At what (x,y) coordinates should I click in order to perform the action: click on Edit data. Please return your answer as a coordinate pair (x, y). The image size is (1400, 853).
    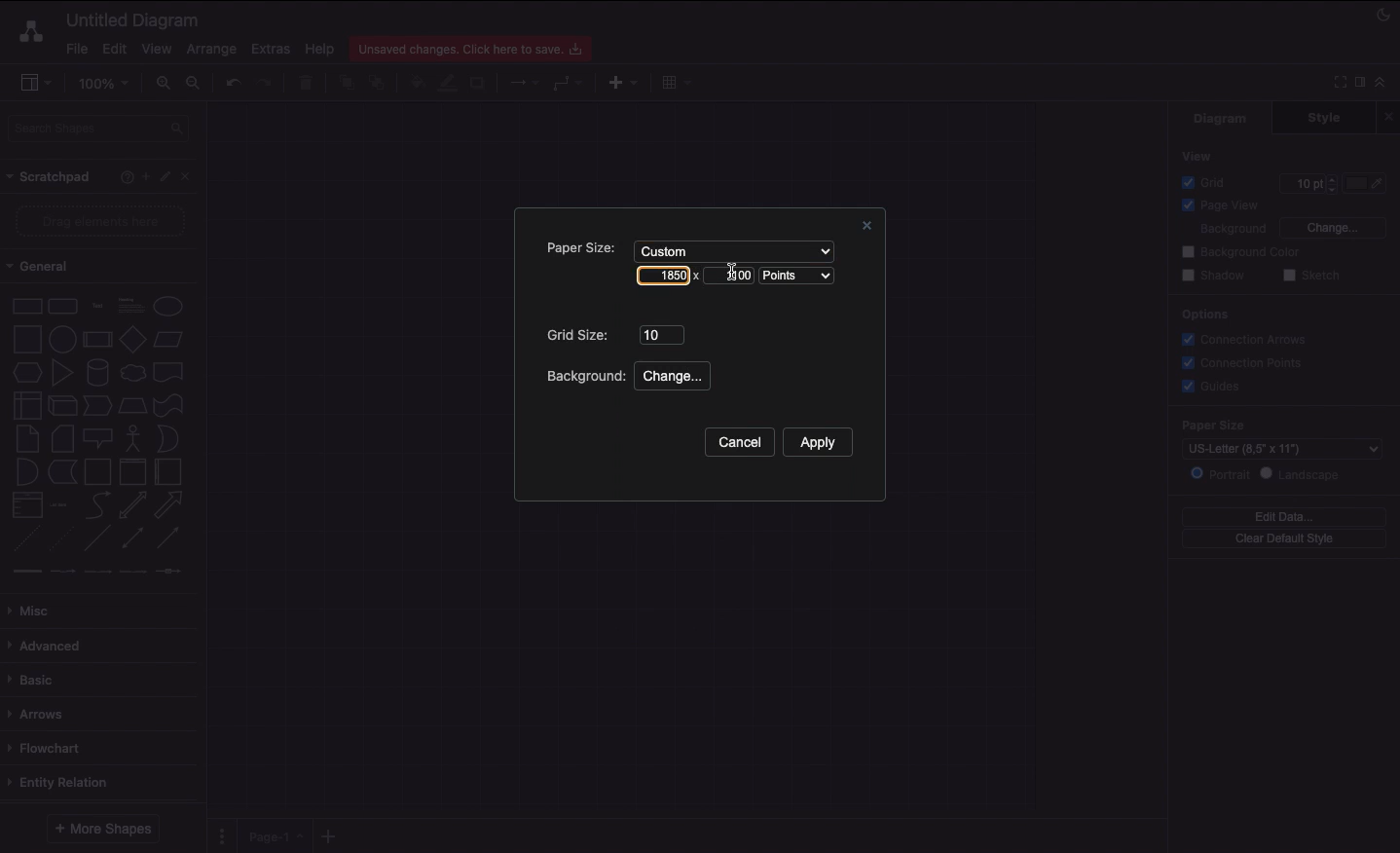
    Looking at the image, I should click on (1284, 516).